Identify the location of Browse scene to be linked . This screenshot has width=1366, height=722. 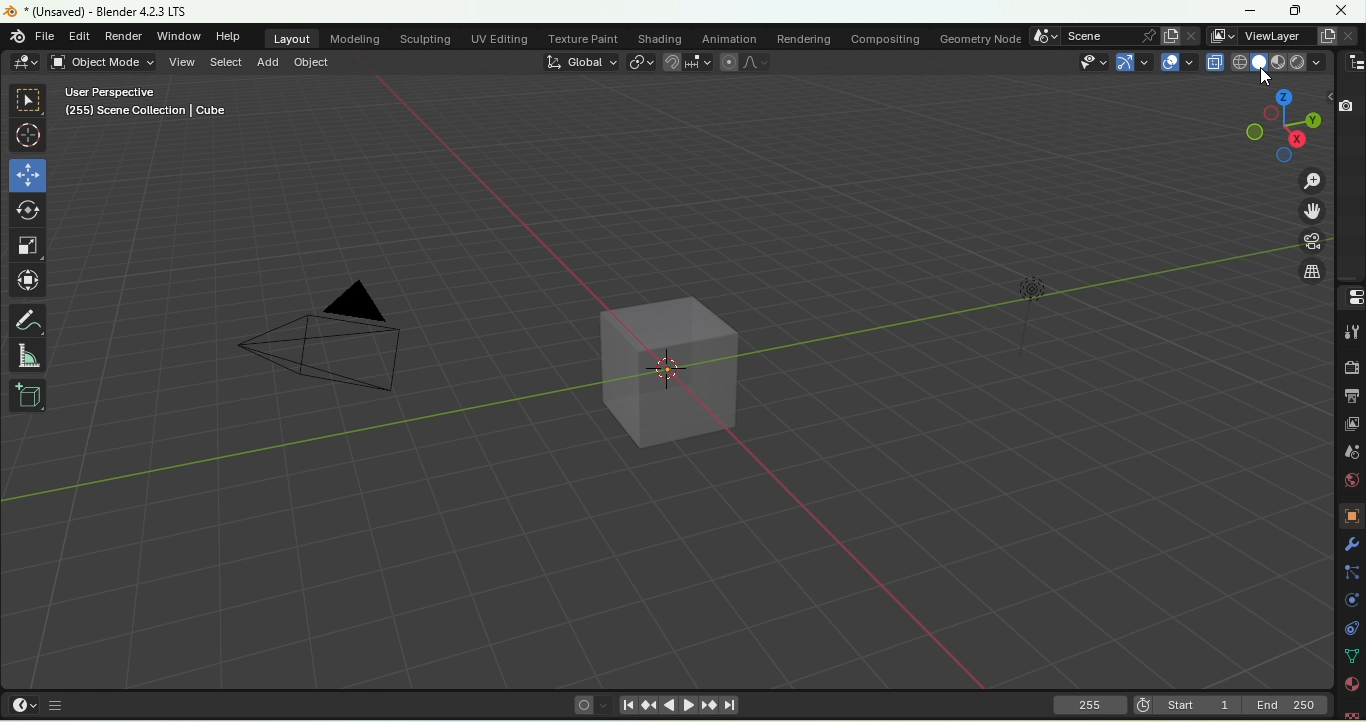
(1046, 36).